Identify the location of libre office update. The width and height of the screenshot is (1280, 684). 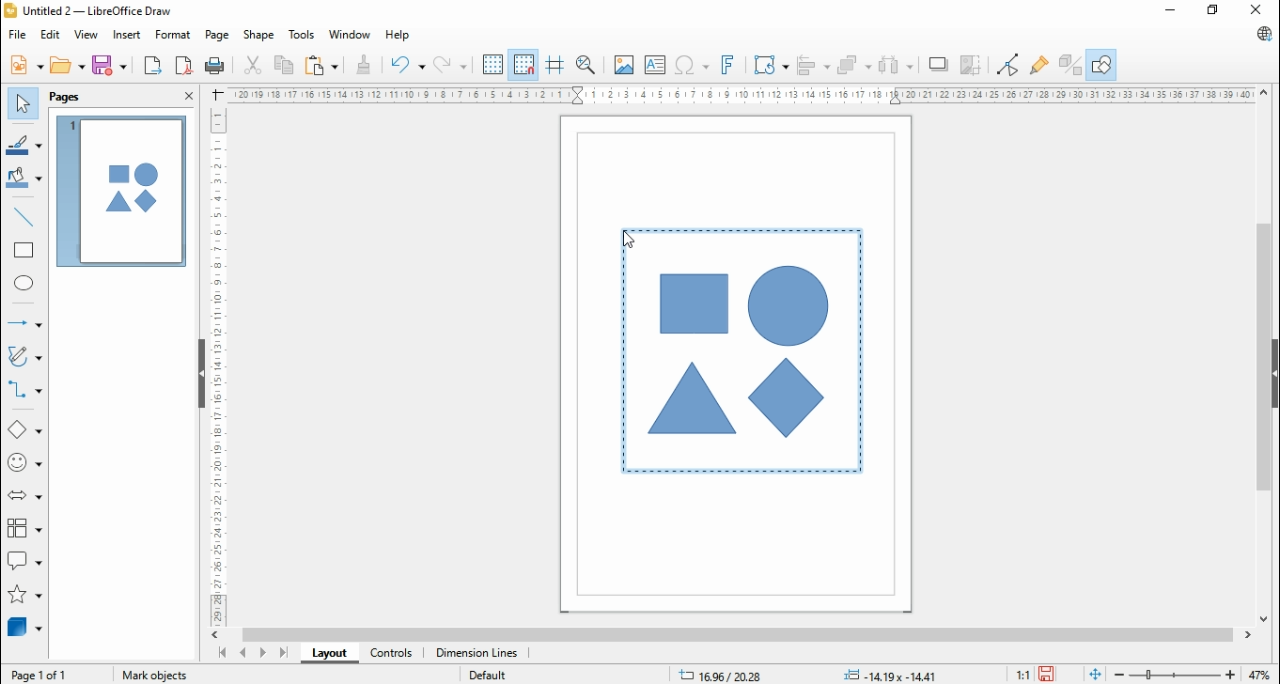
(1260, 33).